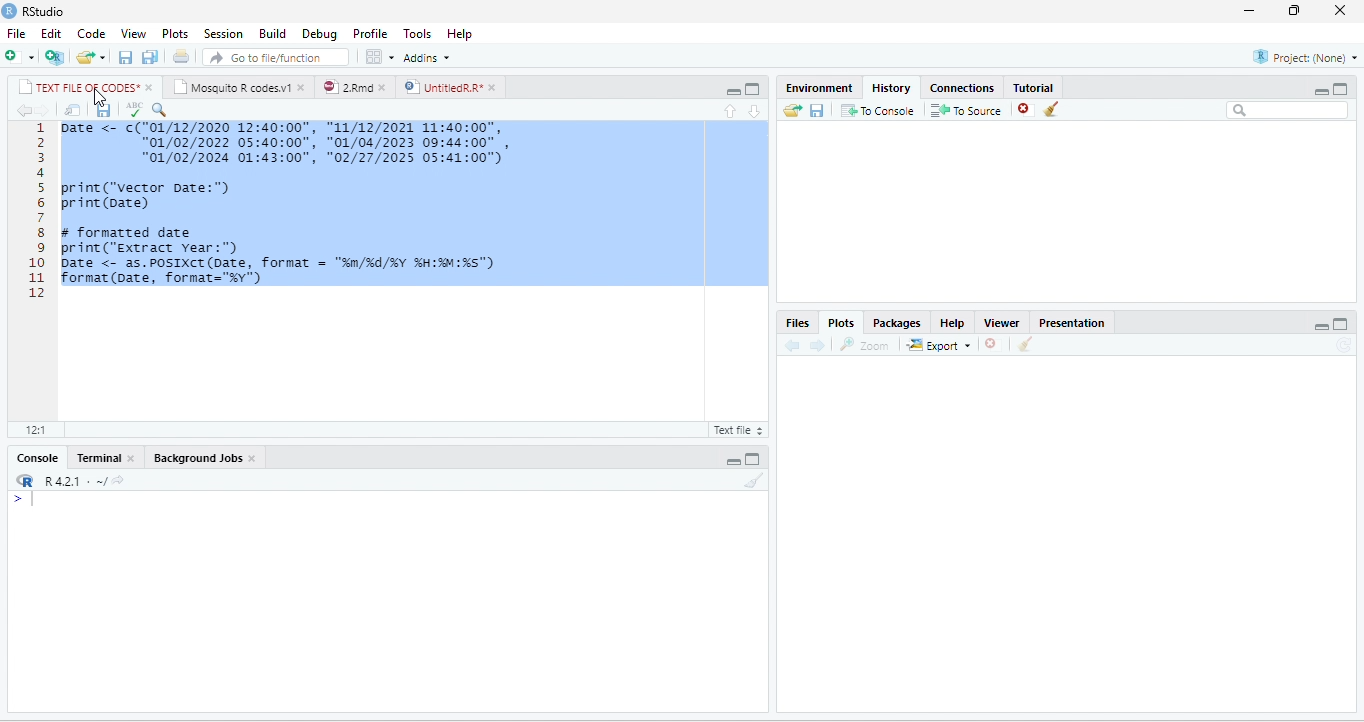  What do you see at coordinates (753, 89) in the screenshot?
I see `maximize` at bounding box center [753, 89].